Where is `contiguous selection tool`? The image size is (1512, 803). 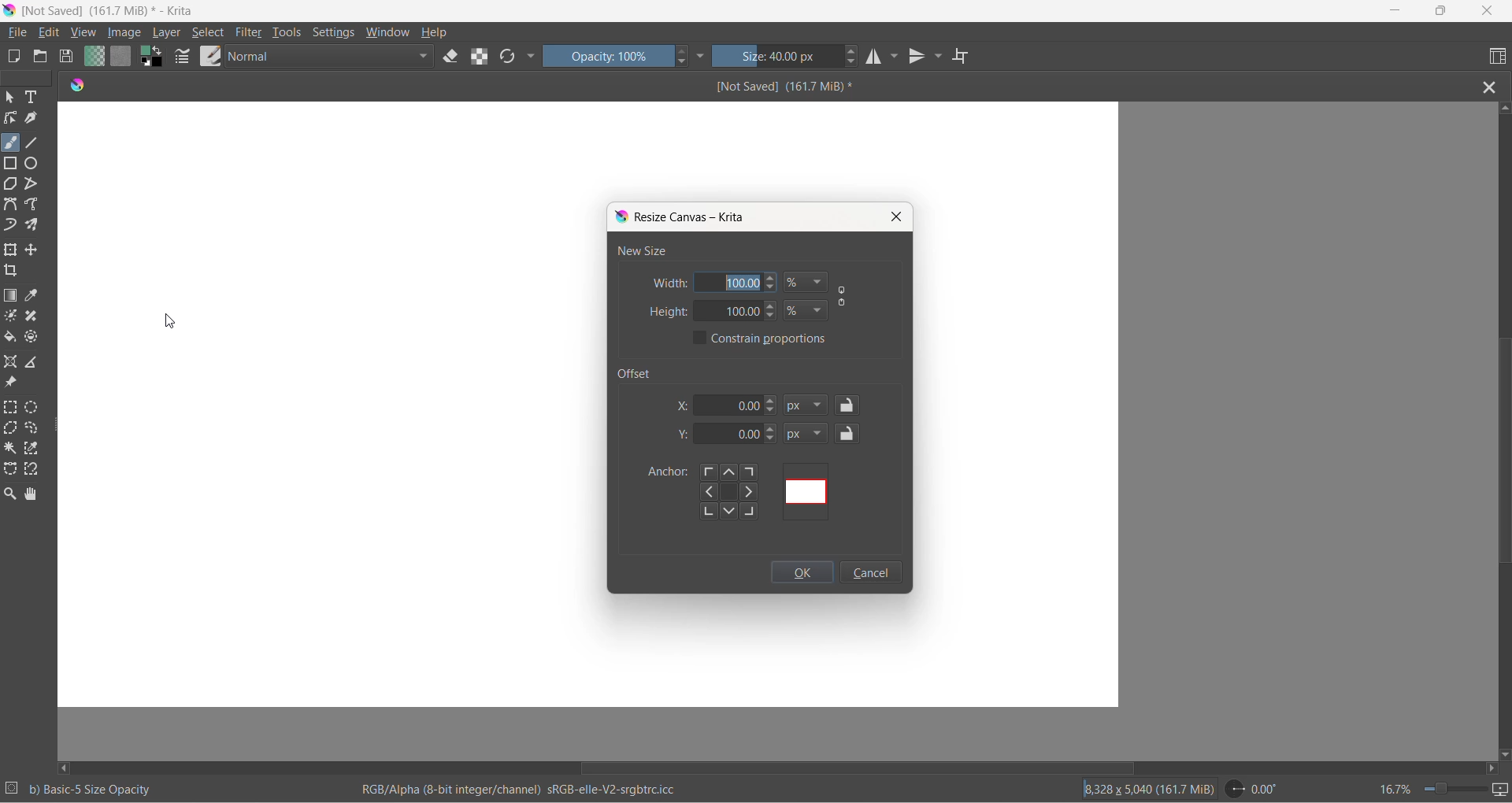 contiguous selection tool is located at coordinates (10, 447).